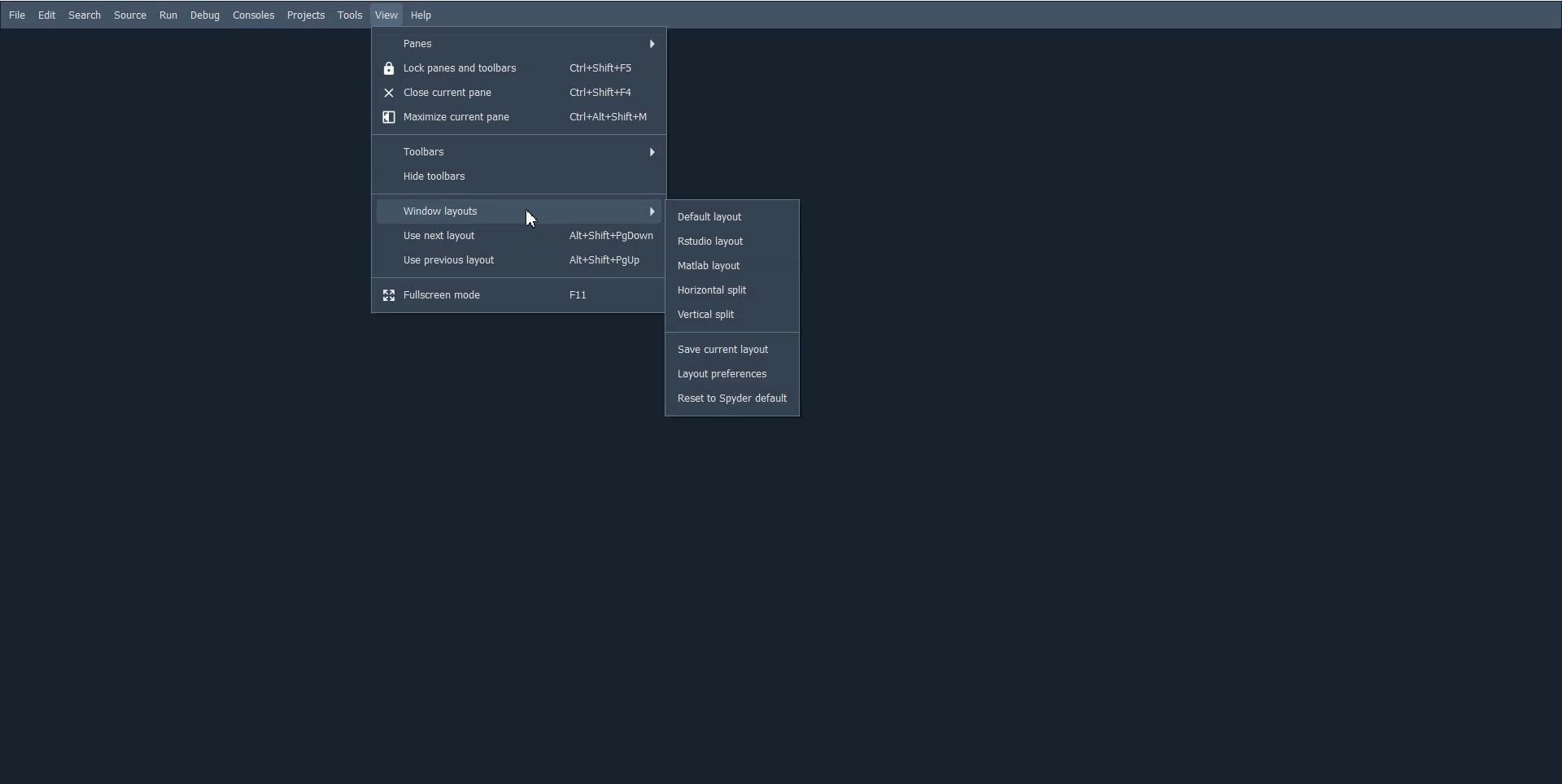  I want to click on Rstudio layout, so click(733, 239).